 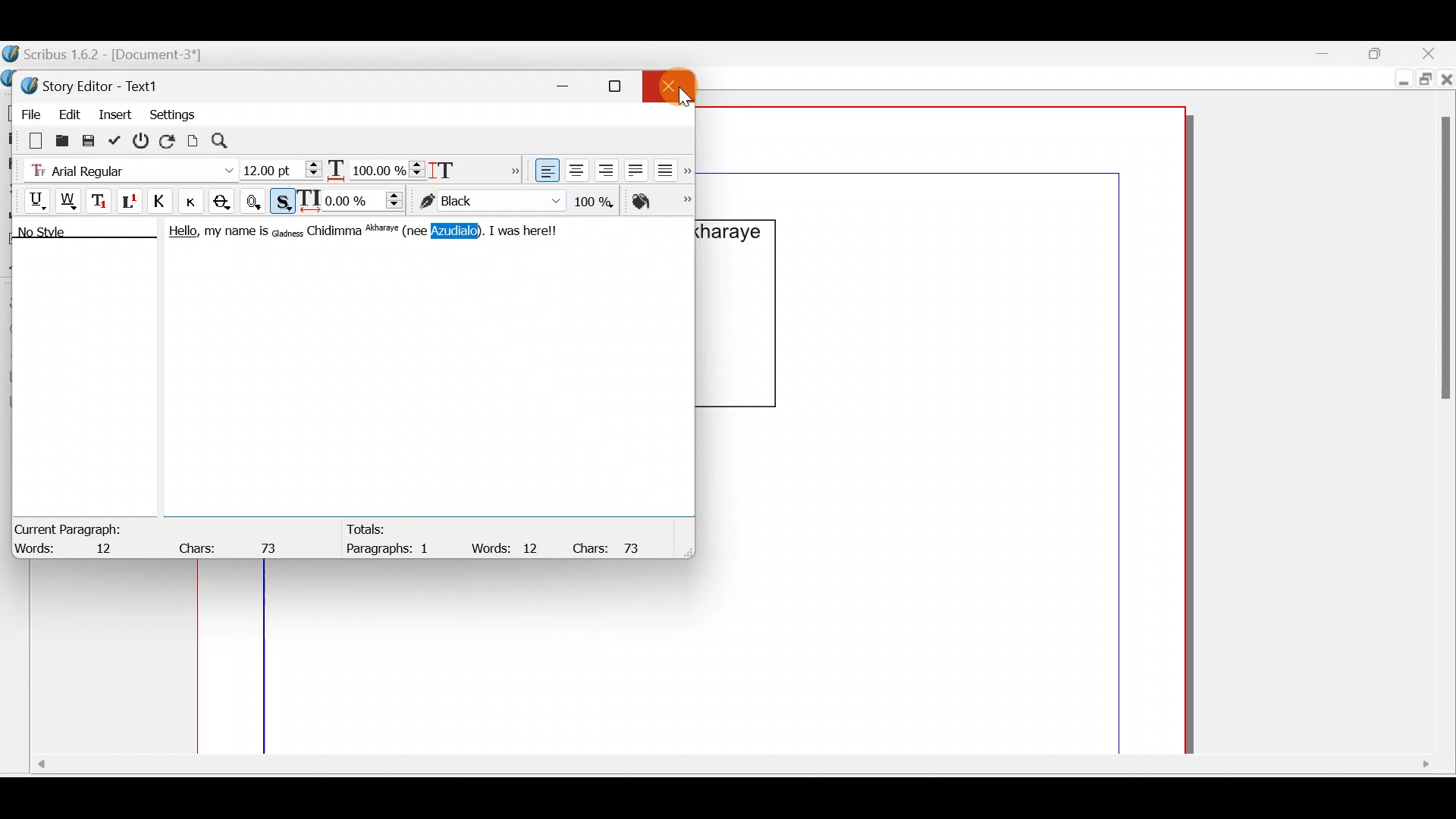 I want to click on Totals: Paragraphs: 1, so click(x=395, y=541).